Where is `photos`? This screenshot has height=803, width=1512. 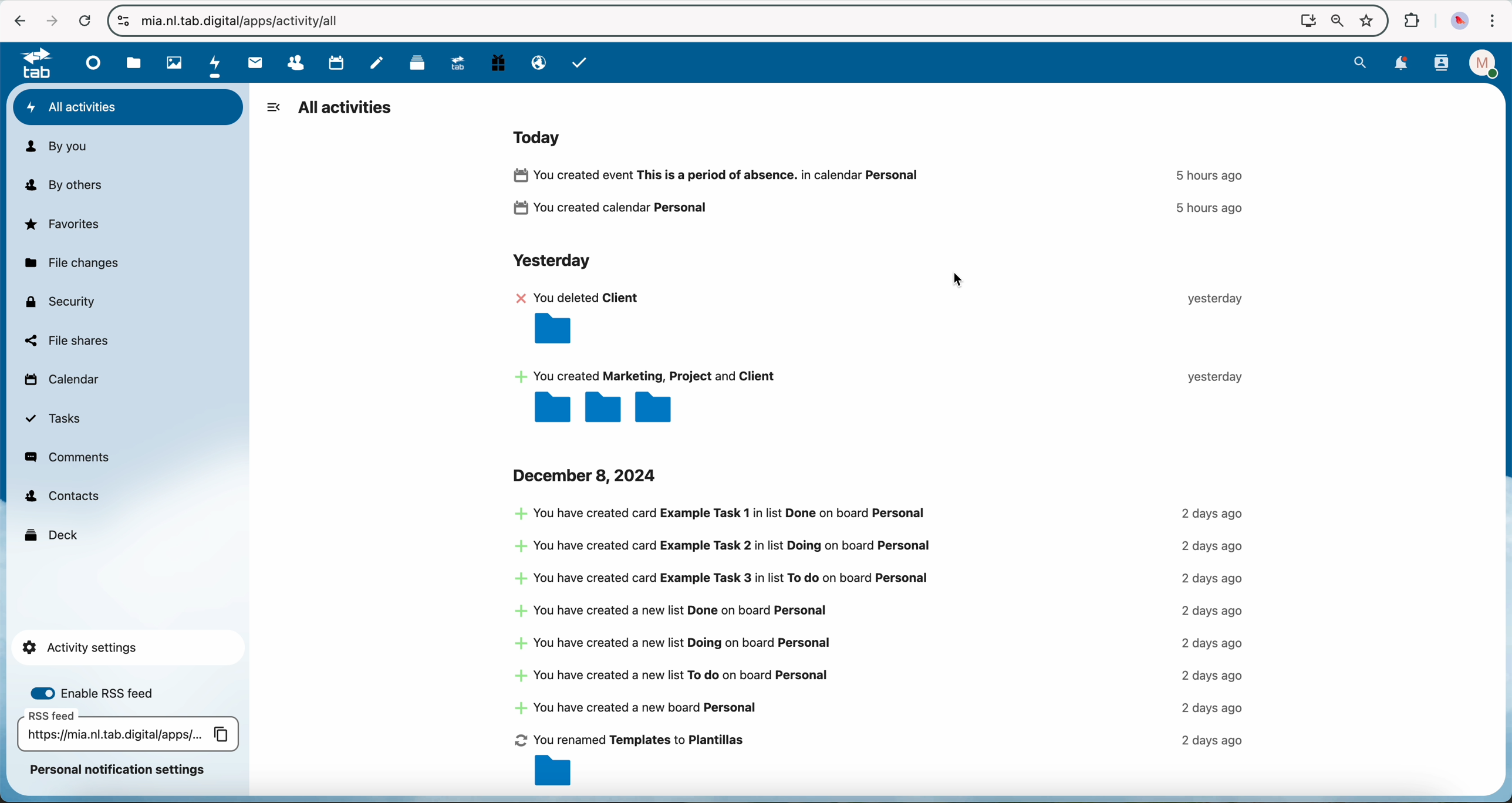 photos is located at coordinates (171, 62).